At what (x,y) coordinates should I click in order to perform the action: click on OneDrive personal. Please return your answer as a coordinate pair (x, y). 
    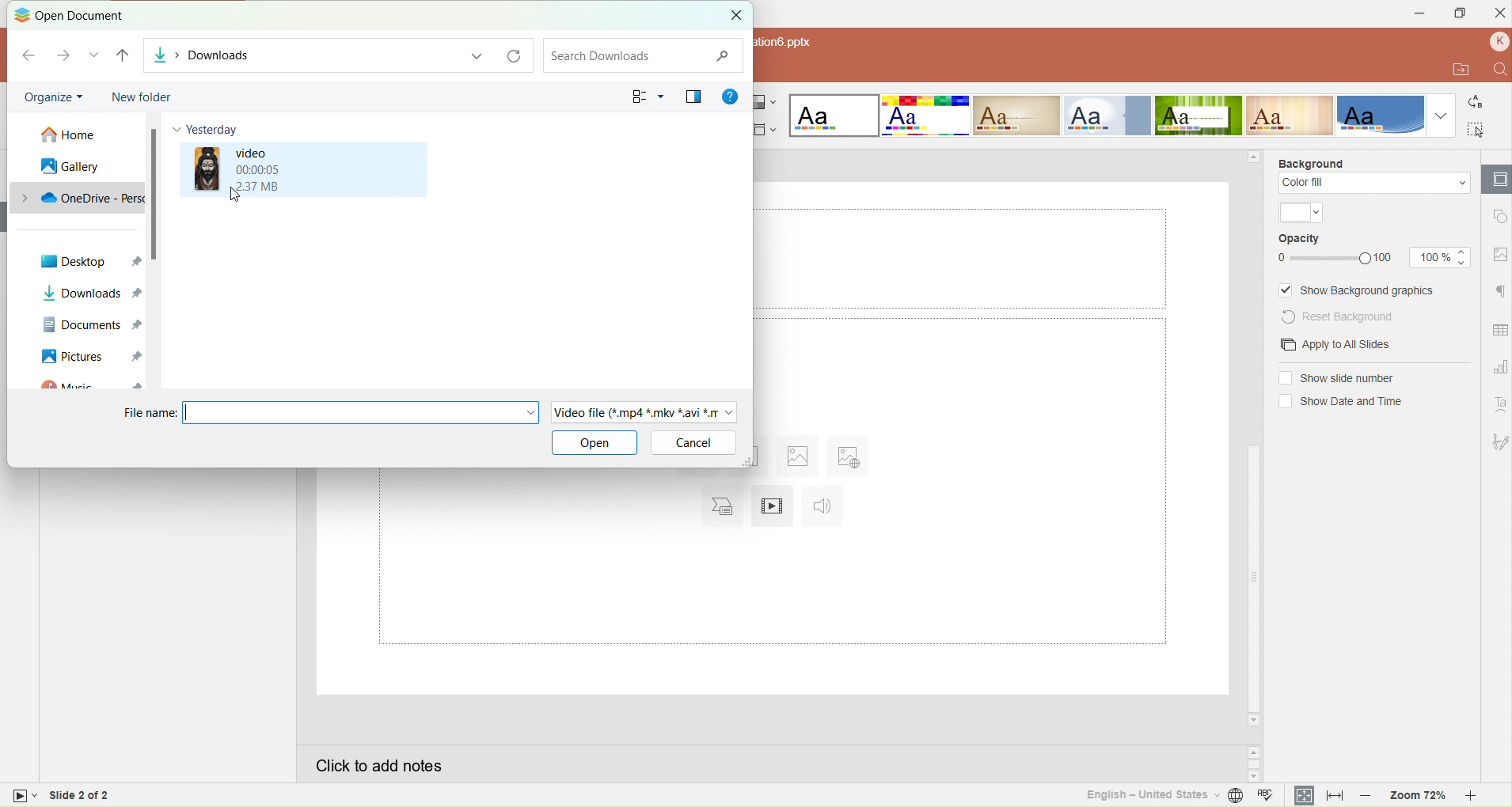
    Looking at the image, I should click on (78, 198).